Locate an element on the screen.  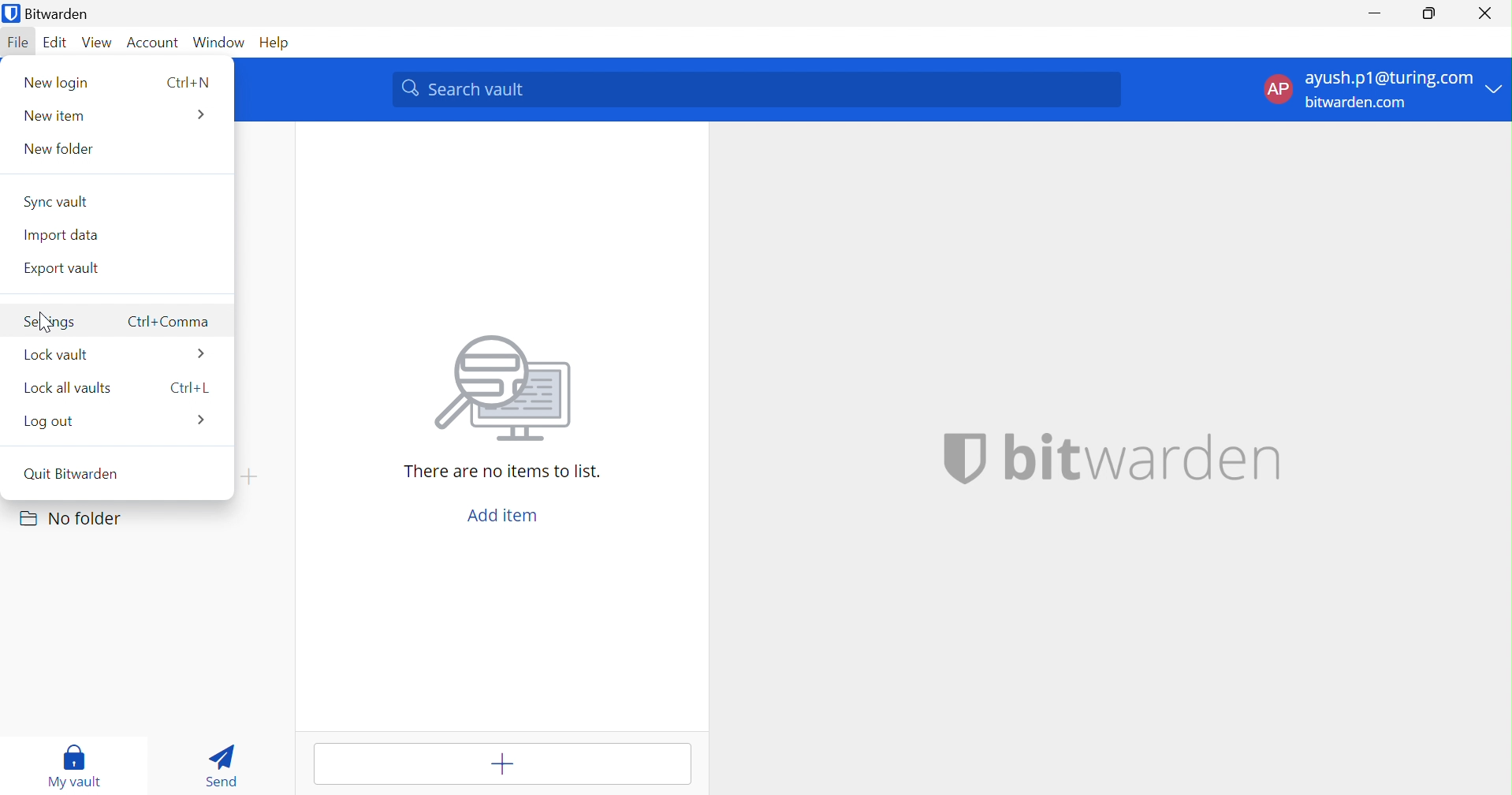
Account settings  is located at coordinates (1382, 88).